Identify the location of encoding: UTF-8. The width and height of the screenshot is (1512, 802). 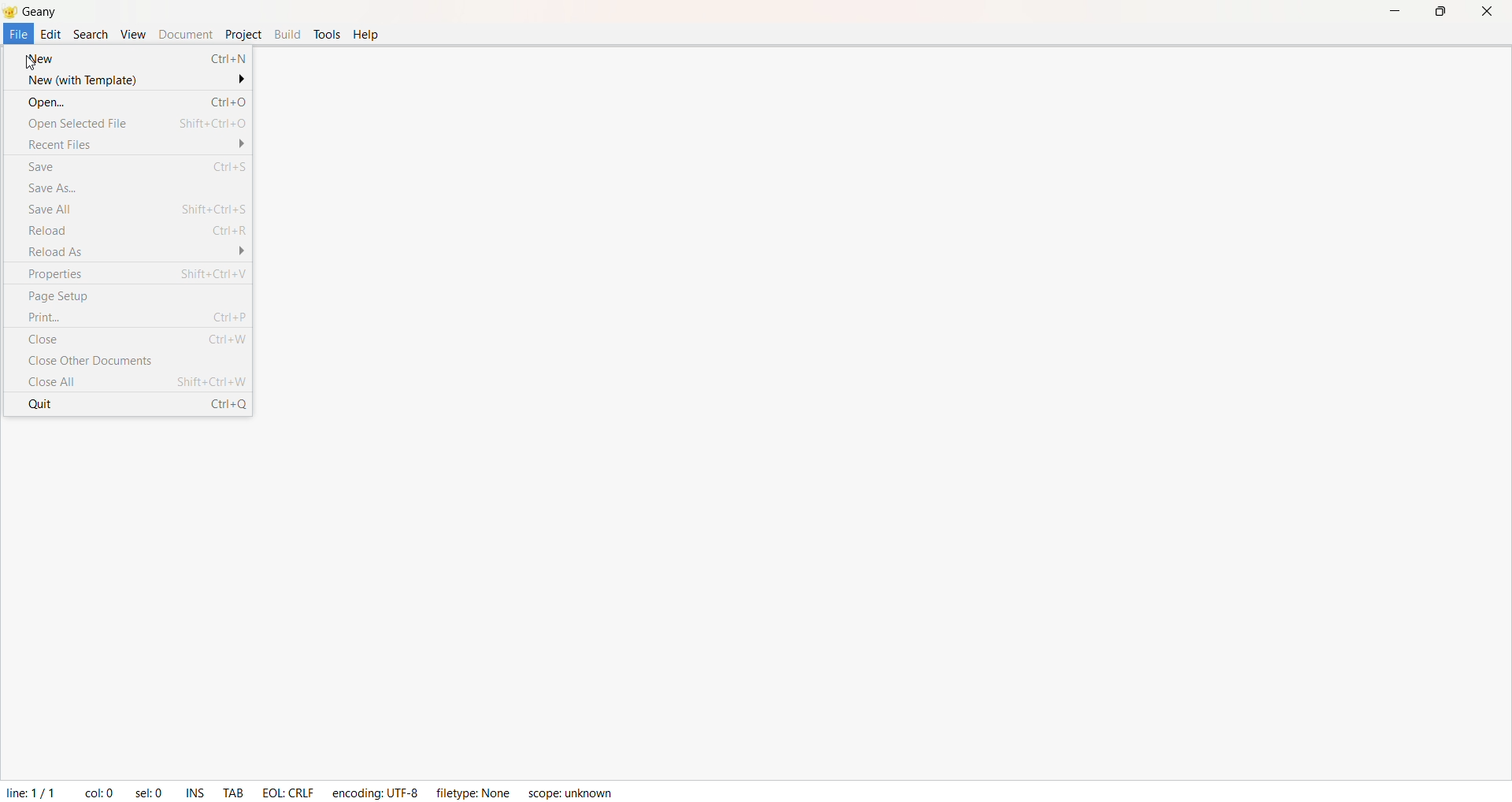
(374, 790).